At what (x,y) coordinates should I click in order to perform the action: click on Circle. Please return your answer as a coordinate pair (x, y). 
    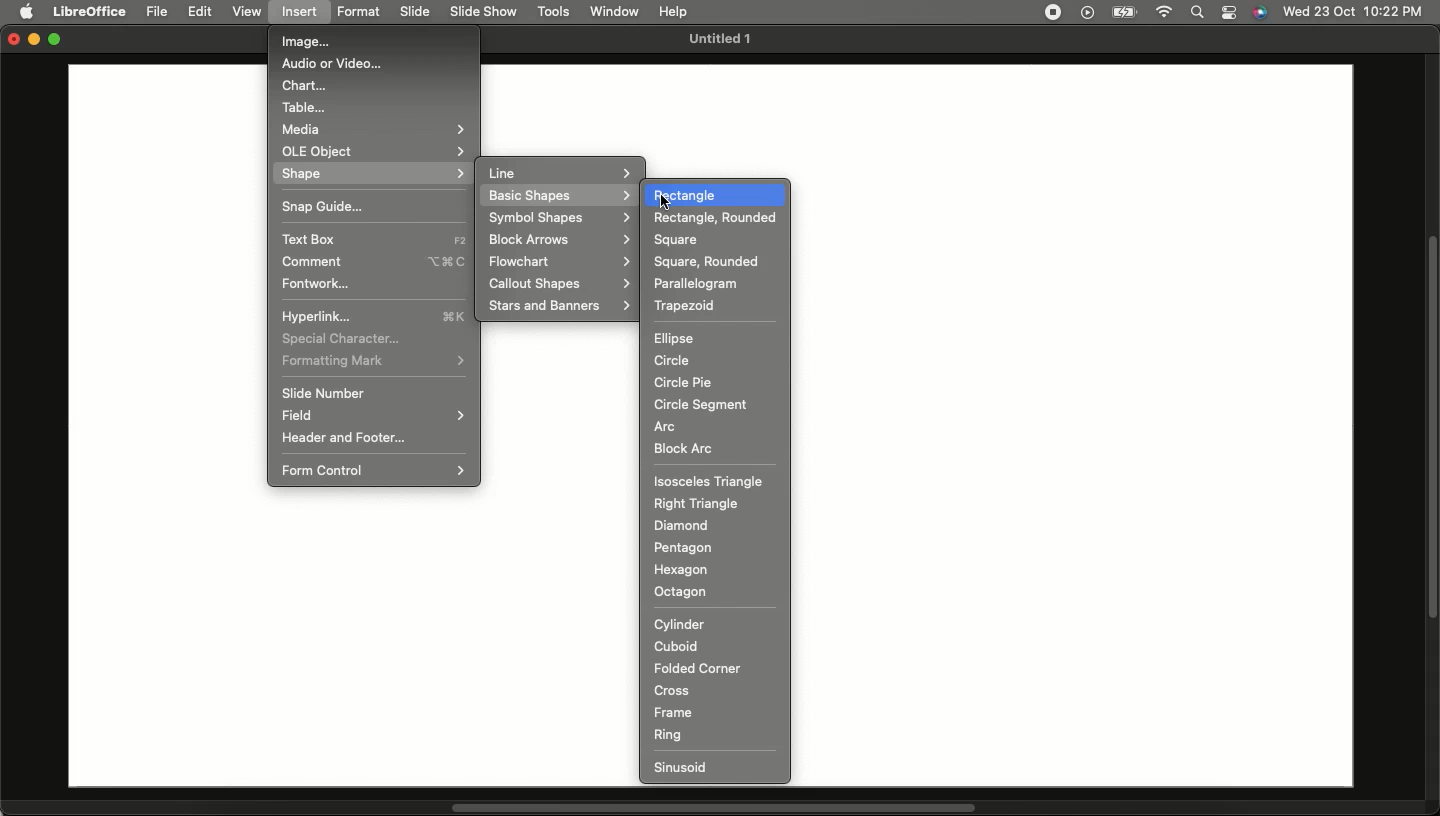
    Looking at the image, I should click on (672, 360).